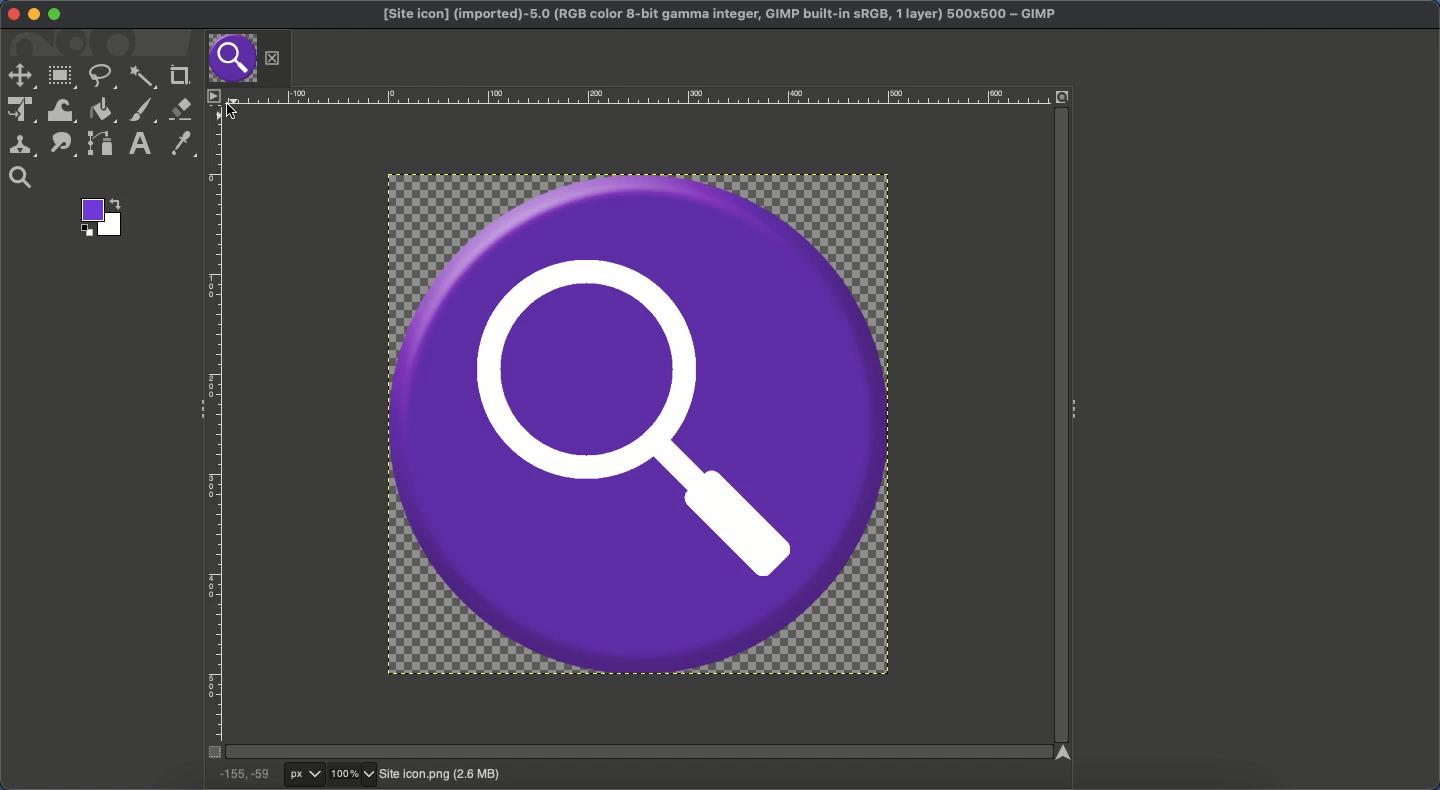  I want to click on Image, so click(638, 422).